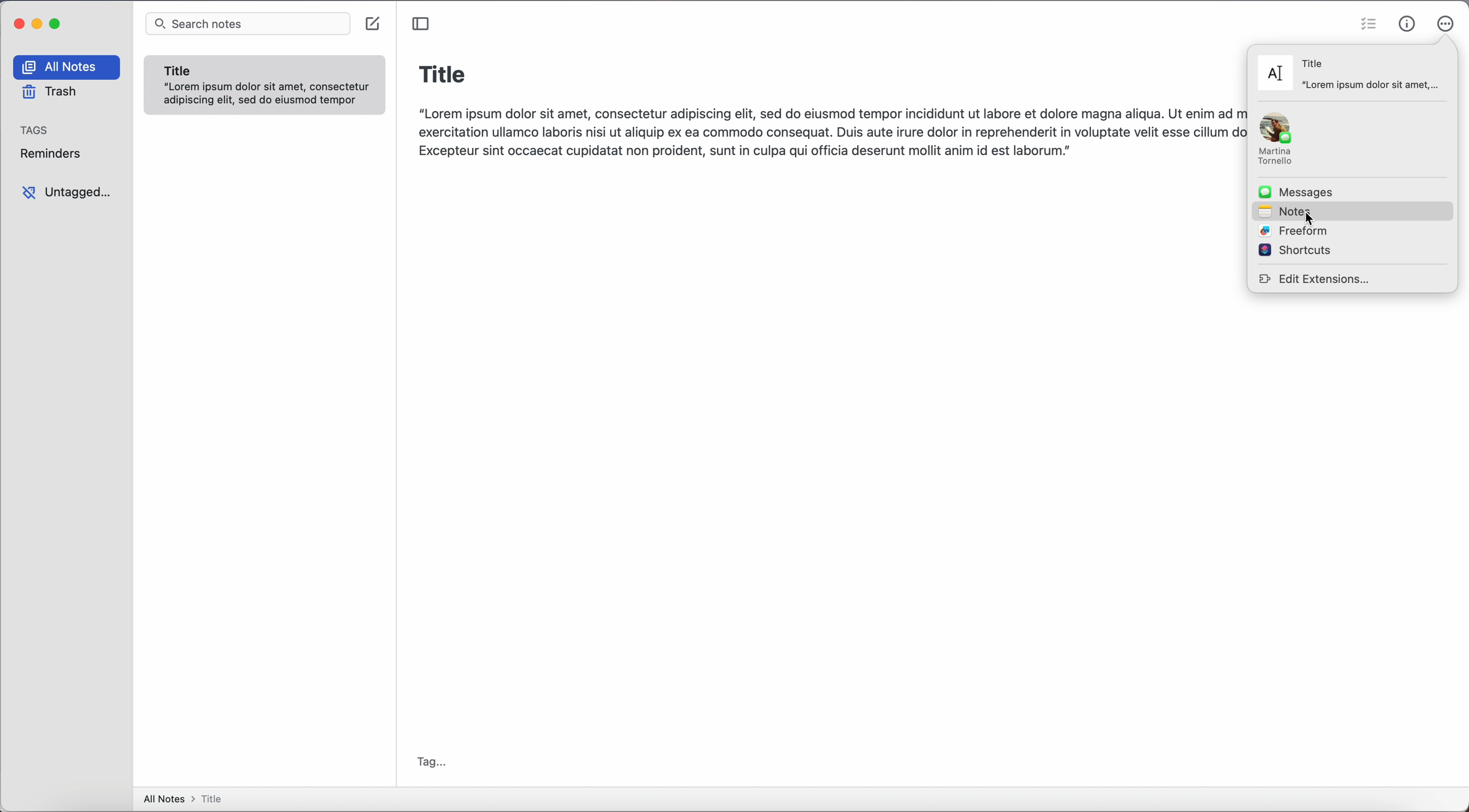 The height and width of the screenshot is (812, 1469). Describe the element at coordinates (248, 25) in the screenshot. I see `search bar` at that location.